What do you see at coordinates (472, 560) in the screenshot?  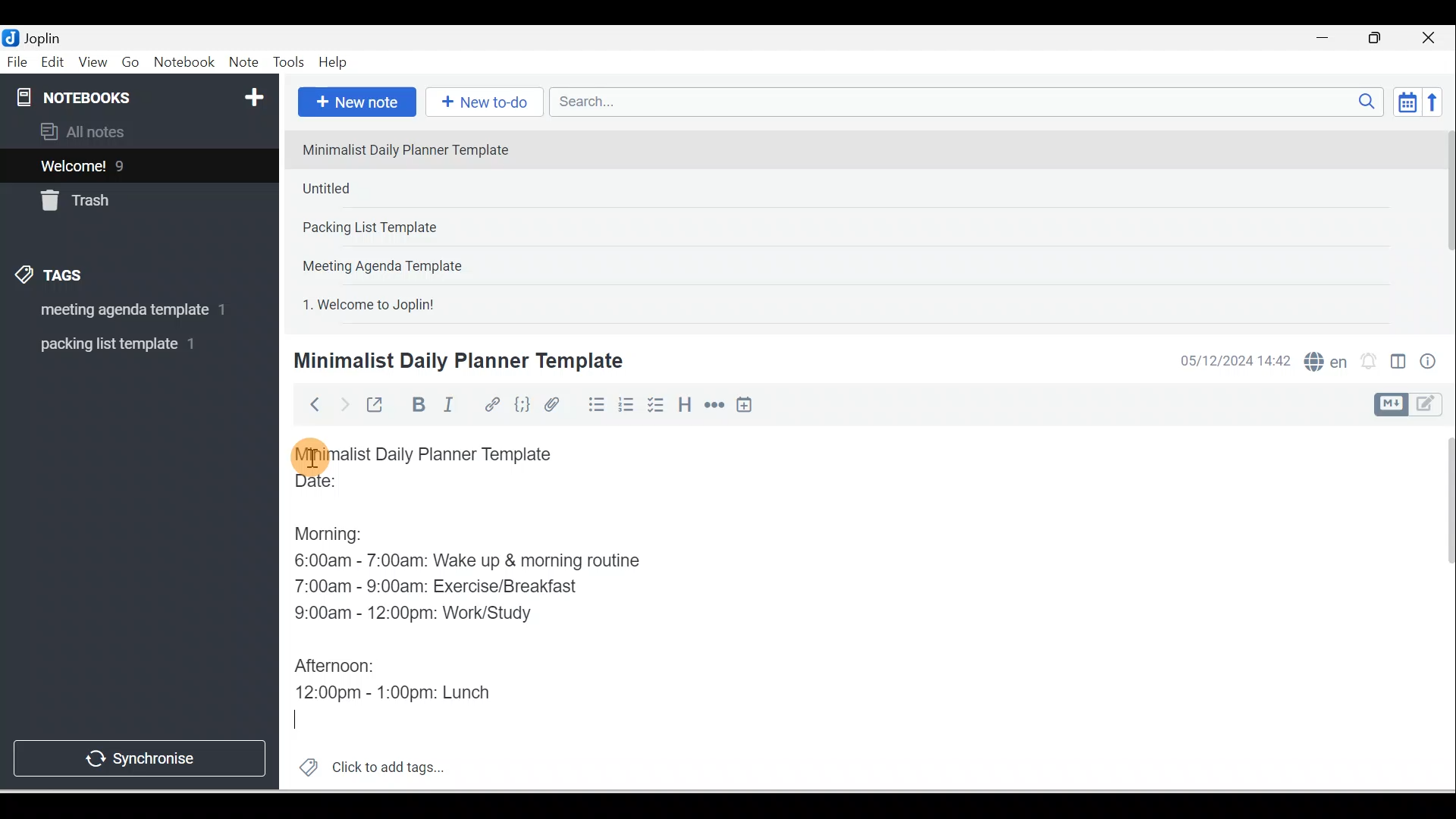 I see `6:00am - 7:00am: Wake up & morning routine` at bounding box center [472, 560].